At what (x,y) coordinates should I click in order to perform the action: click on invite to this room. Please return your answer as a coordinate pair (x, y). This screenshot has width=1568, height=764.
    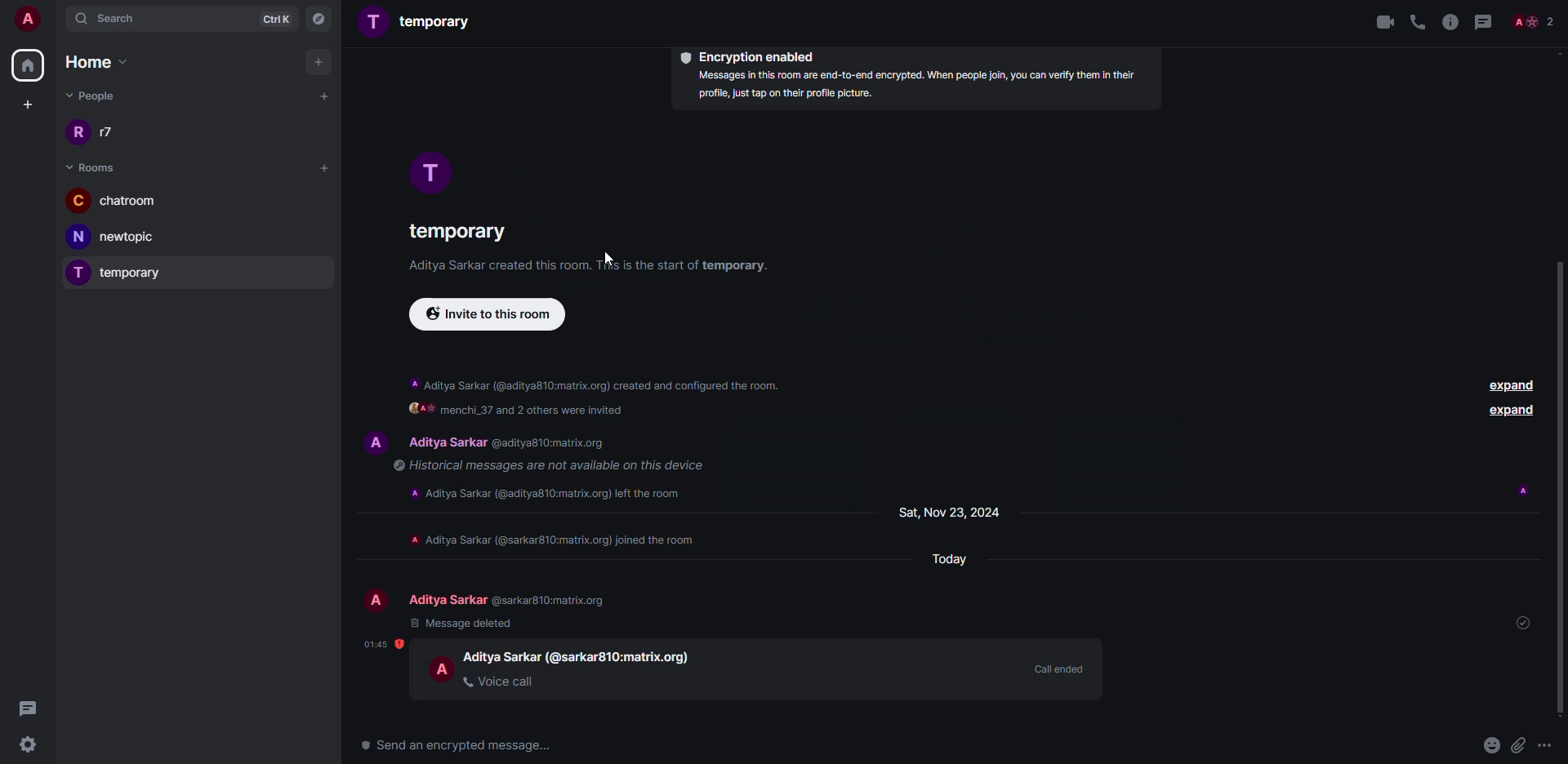
    Looking at the image, I should click on (488, 314).